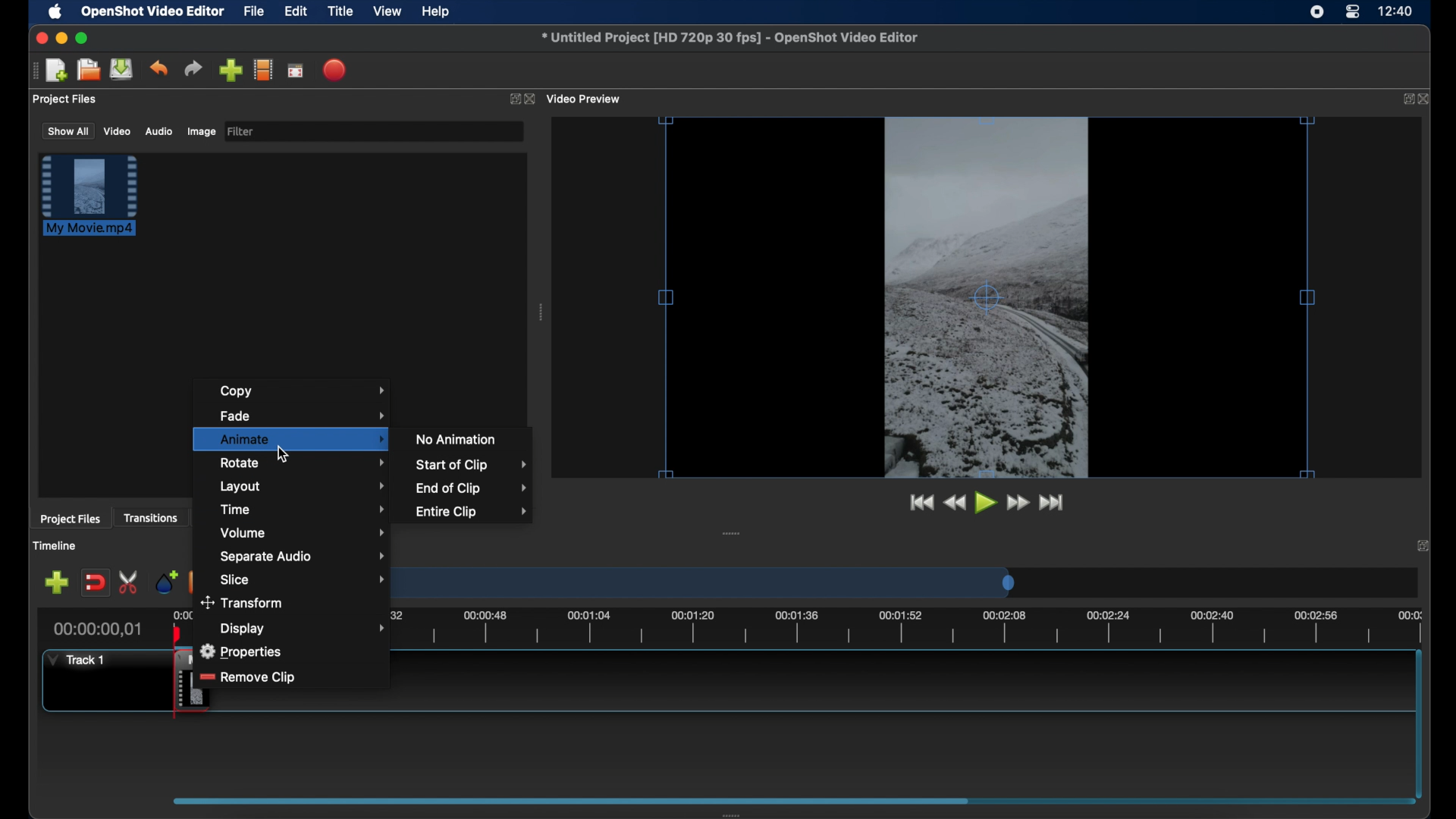 This screenshot has width=1456, height=819. I want to click on timeline, so click(57, 547).